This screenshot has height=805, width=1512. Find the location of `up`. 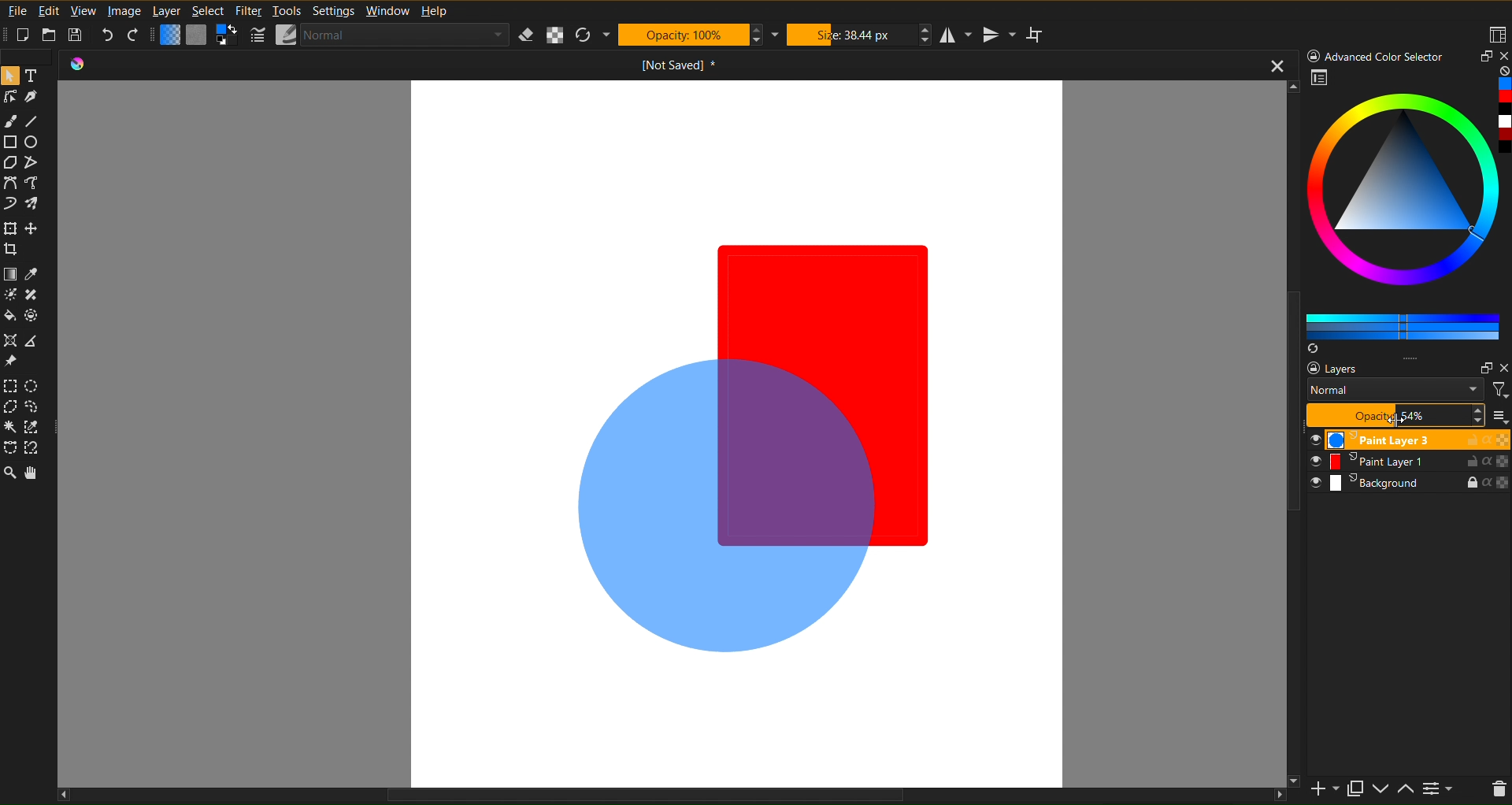

up is located at coordinates (1409, 792).